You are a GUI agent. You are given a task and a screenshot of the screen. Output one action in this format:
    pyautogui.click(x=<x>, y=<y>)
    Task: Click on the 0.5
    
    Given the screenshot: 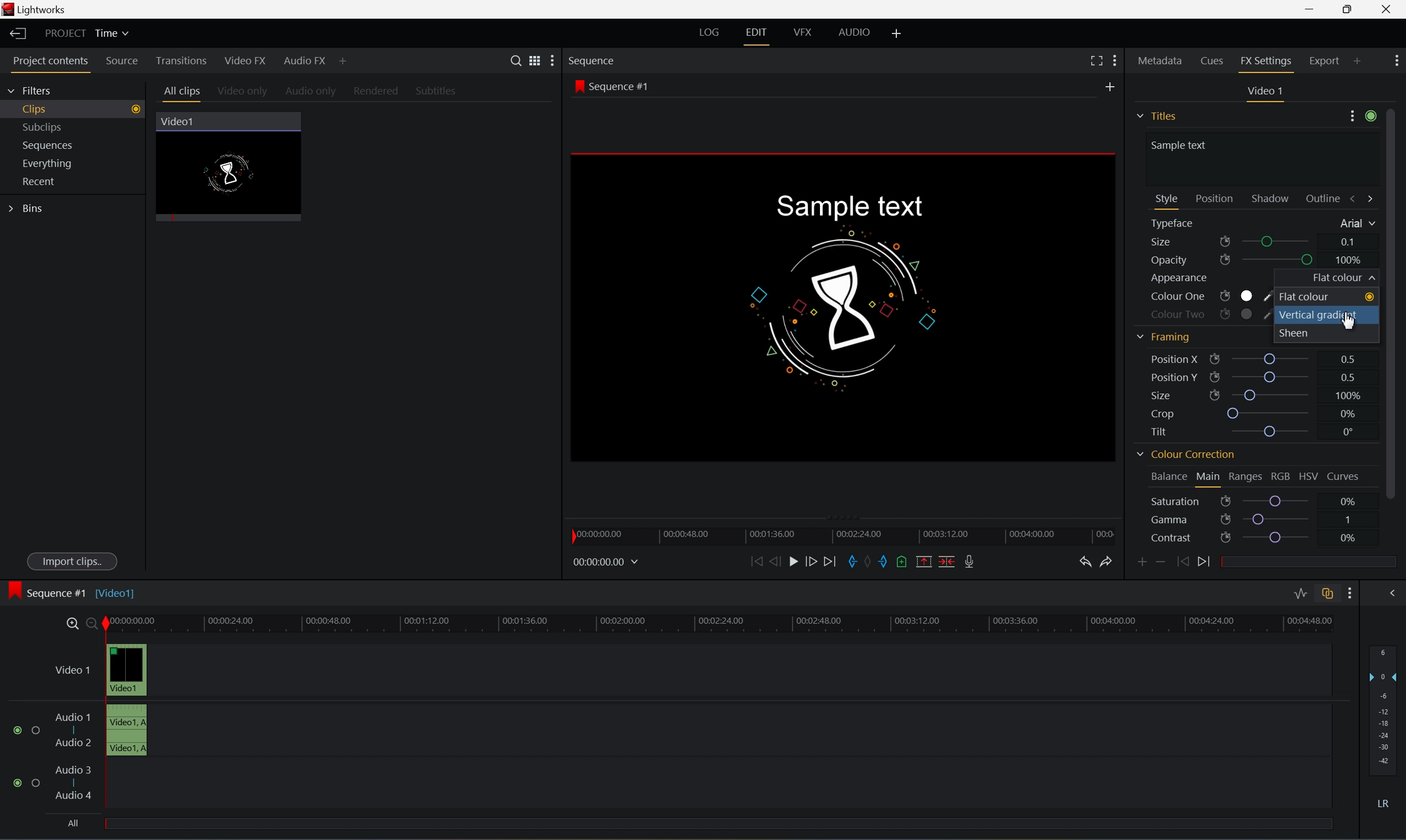 What is the action you would take?
    pyautogui.click(x=1345, y=375)
    